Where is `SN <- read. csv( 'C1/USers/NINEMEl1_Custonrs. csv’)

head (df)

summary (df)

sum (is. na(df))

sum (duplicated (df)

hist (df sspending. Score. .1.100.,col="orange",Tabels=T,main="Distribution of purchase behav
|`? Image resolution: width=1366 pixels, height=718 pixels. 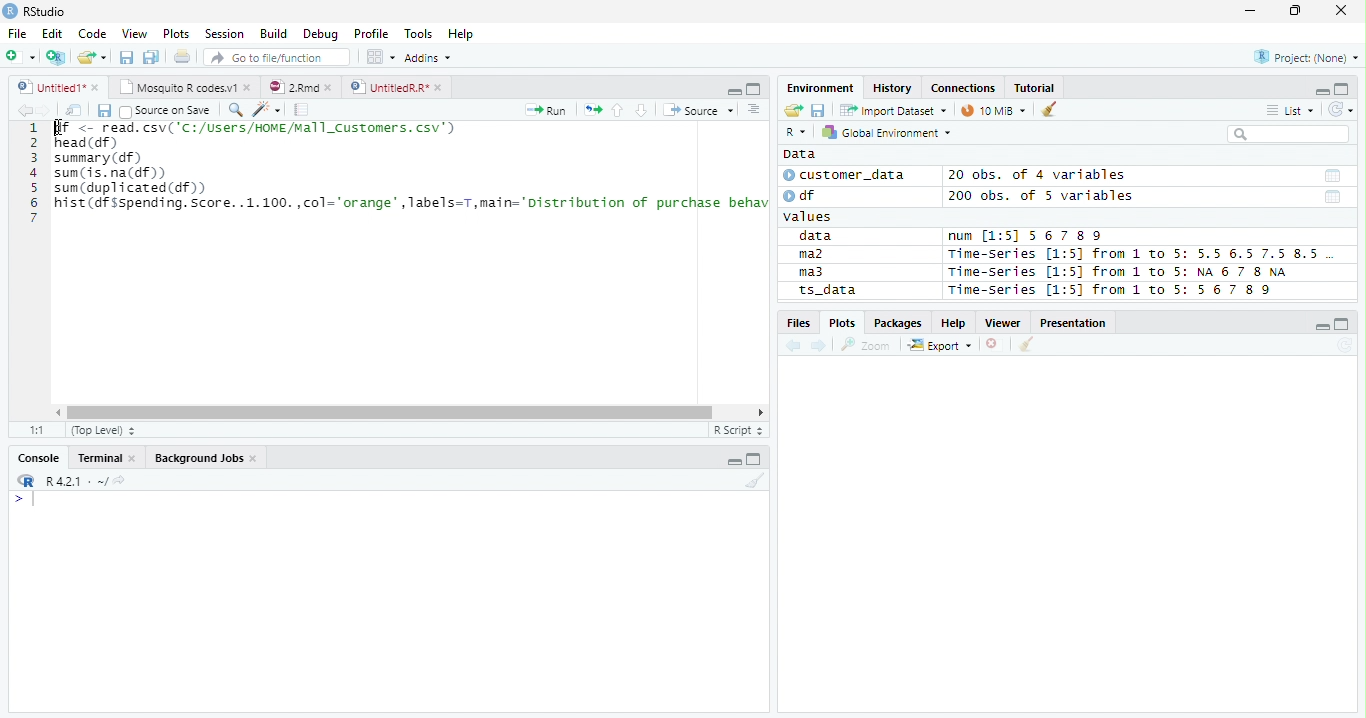
SN <- read. csv( 'C1/USers/NINEMEl1_Custonrs. csv’)

head (df)

summary (df)

sum (is. na(df))

sum (duplicated (df)

hist (df sspending. Score. .1.100.,col="orange",Tabels=T,main="Distribution of purchase behav
| is located at coordinates (412, 178).